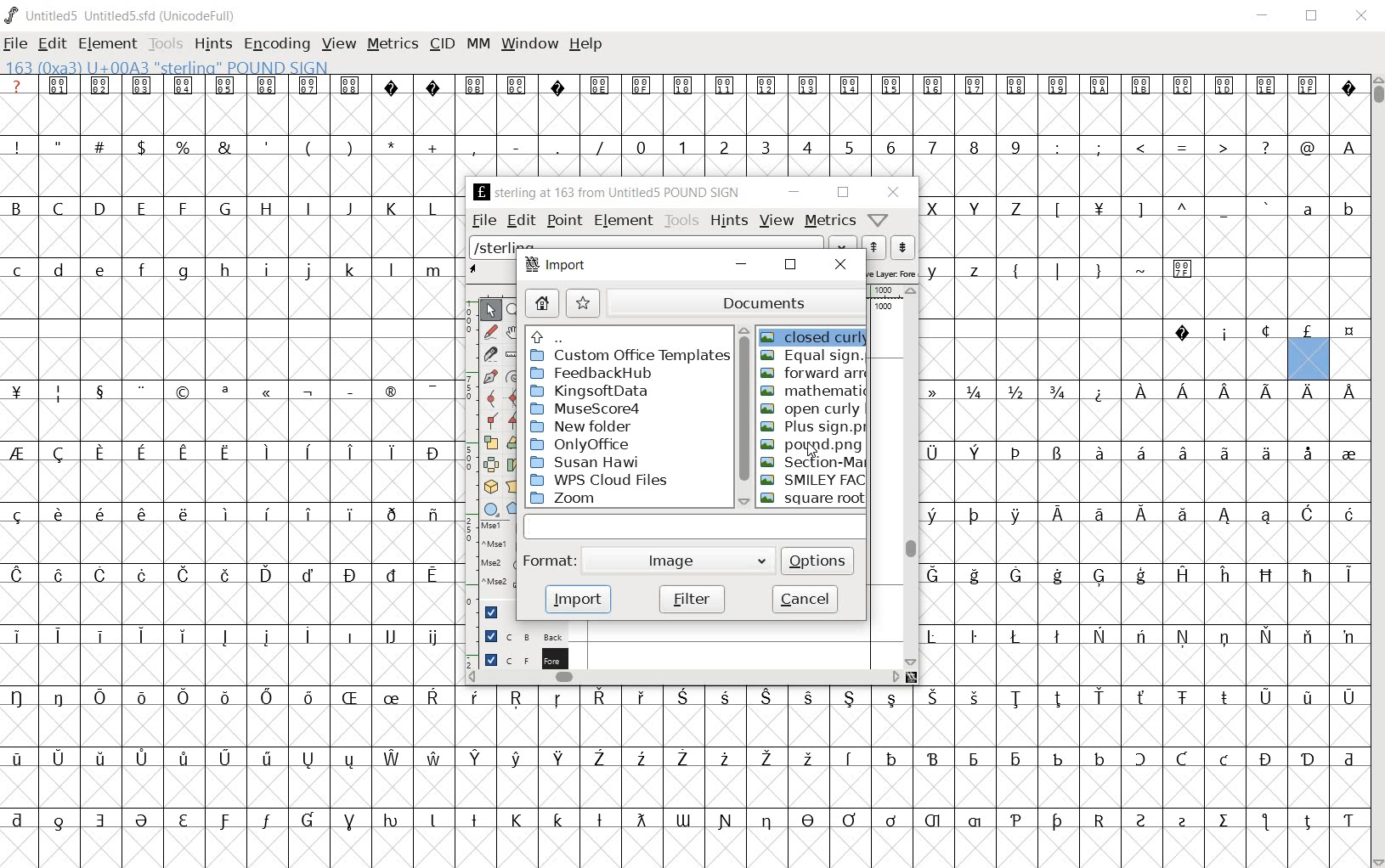 This screenshot has height=868, width=1385. I want to click on Symbol, so click(1268, 518).